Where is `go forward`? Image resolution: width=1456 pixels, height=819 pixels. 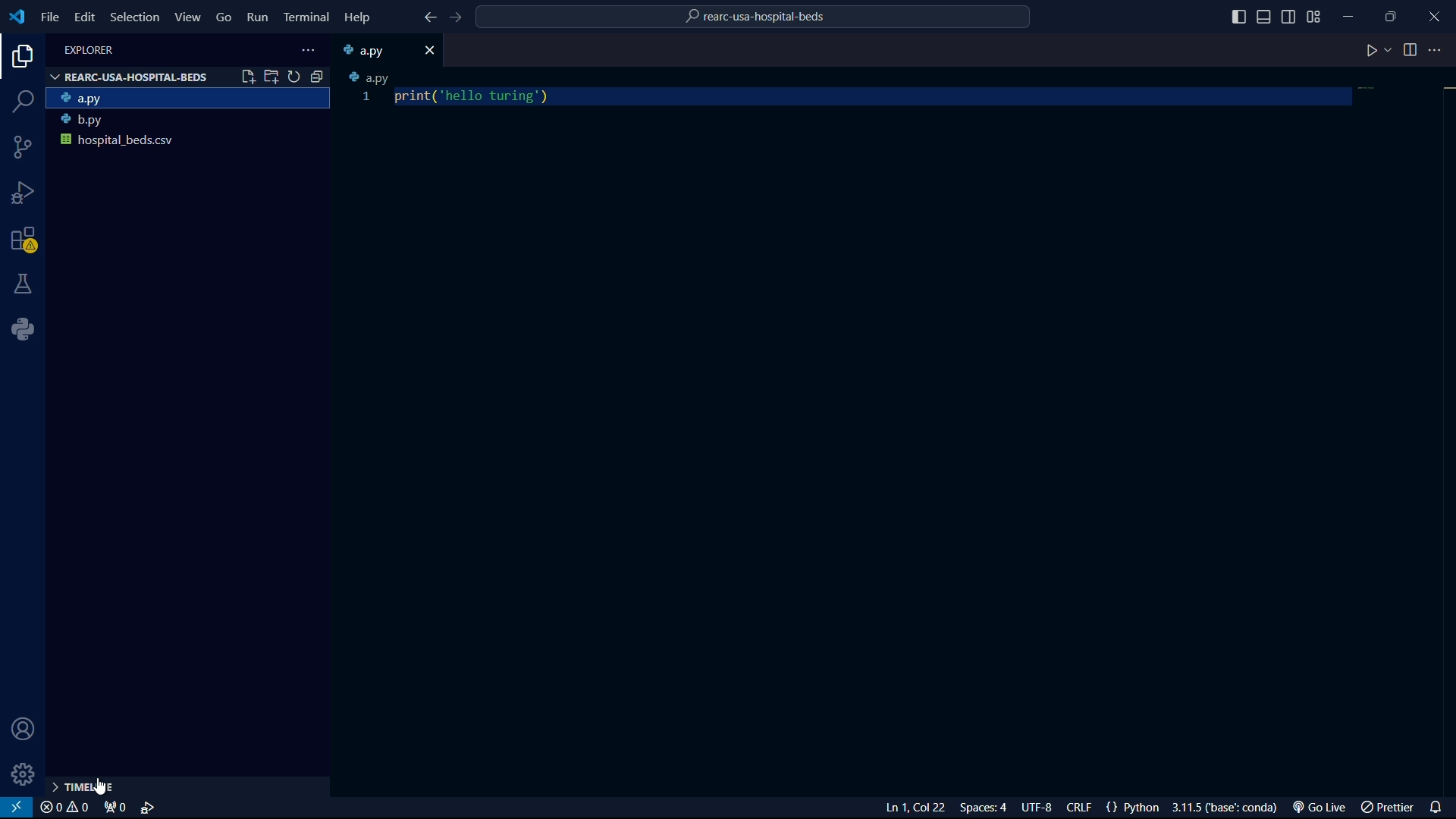 go forward is located at coordinates (455, 17).